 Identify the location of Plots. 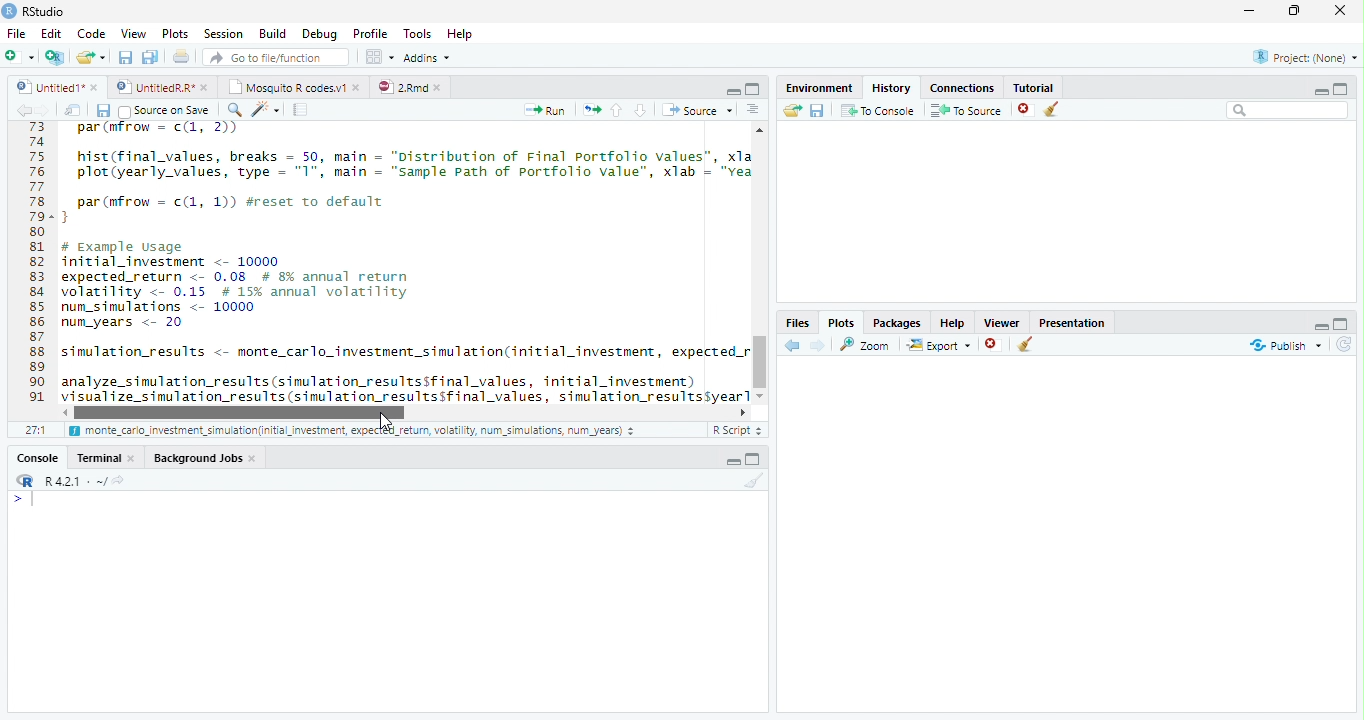
(841, 322).